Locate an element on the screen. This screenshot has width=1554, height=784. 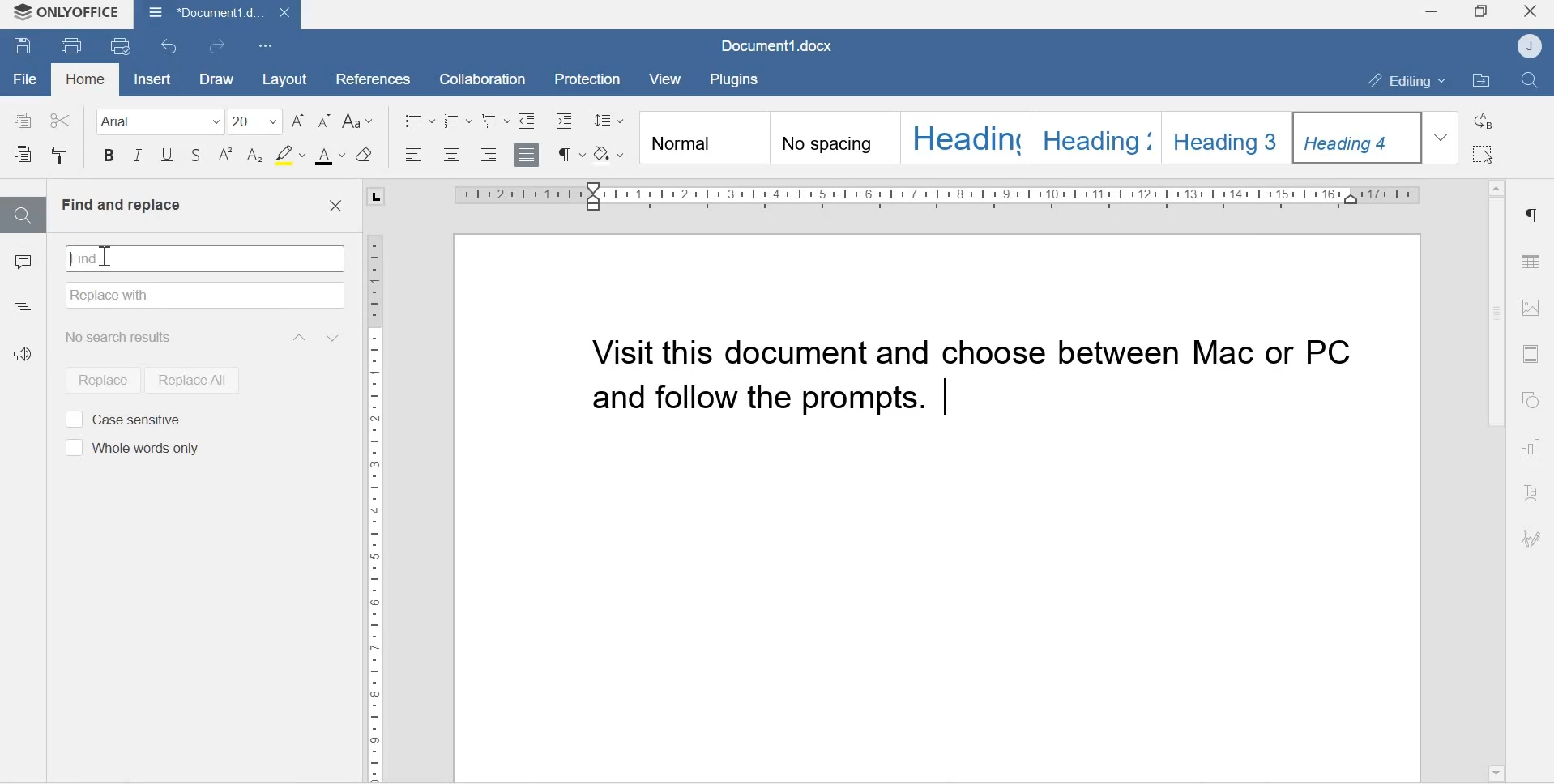
Decrease indent is located at coordinates (527, 119).